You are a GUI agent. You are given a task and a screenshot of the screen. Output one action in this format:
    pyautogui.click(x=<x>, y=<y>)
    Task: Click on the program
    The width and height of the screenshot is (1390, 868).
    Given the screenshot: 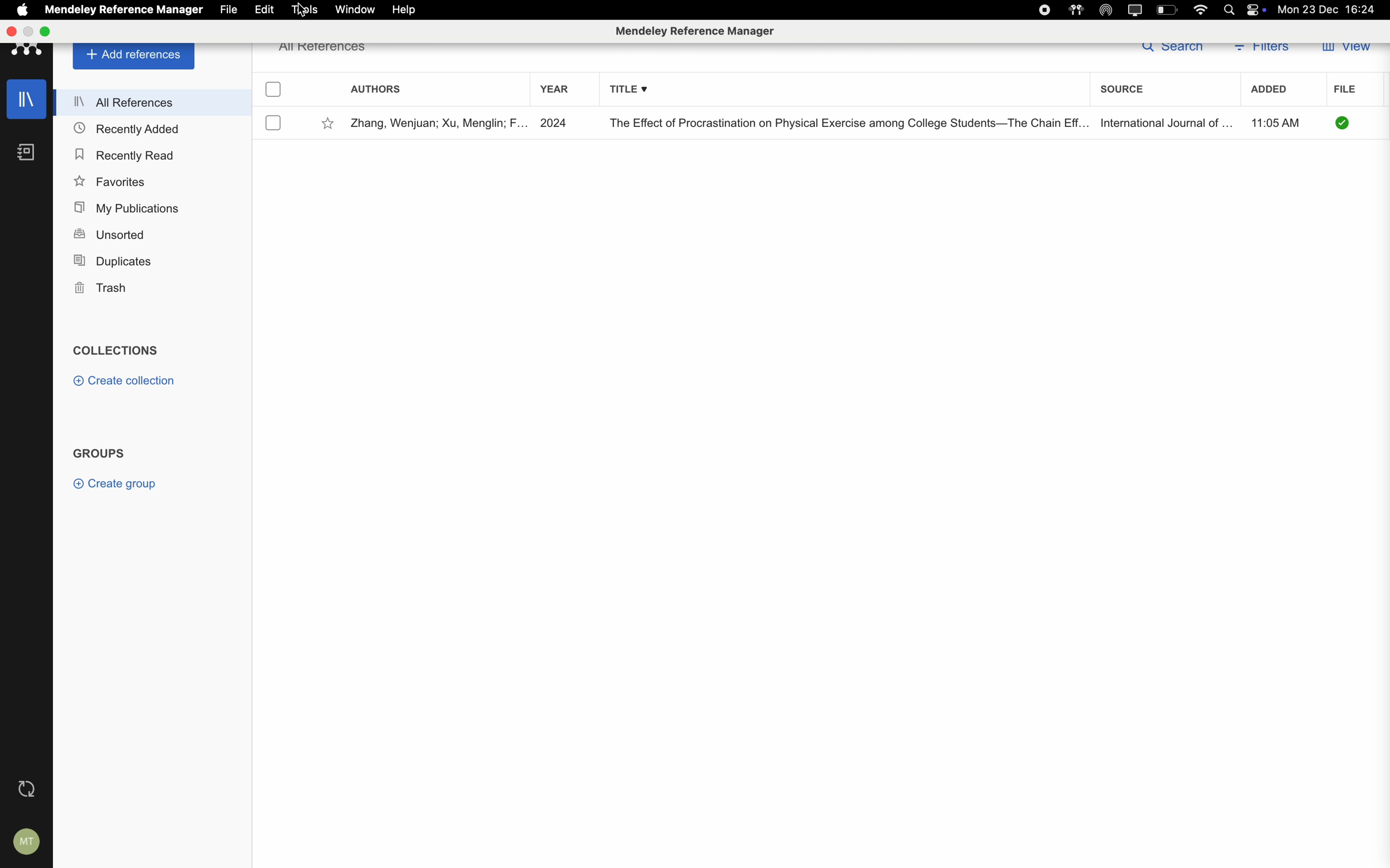 What is the action you would take?
    pyautogui.click(x=125, y=10)
    